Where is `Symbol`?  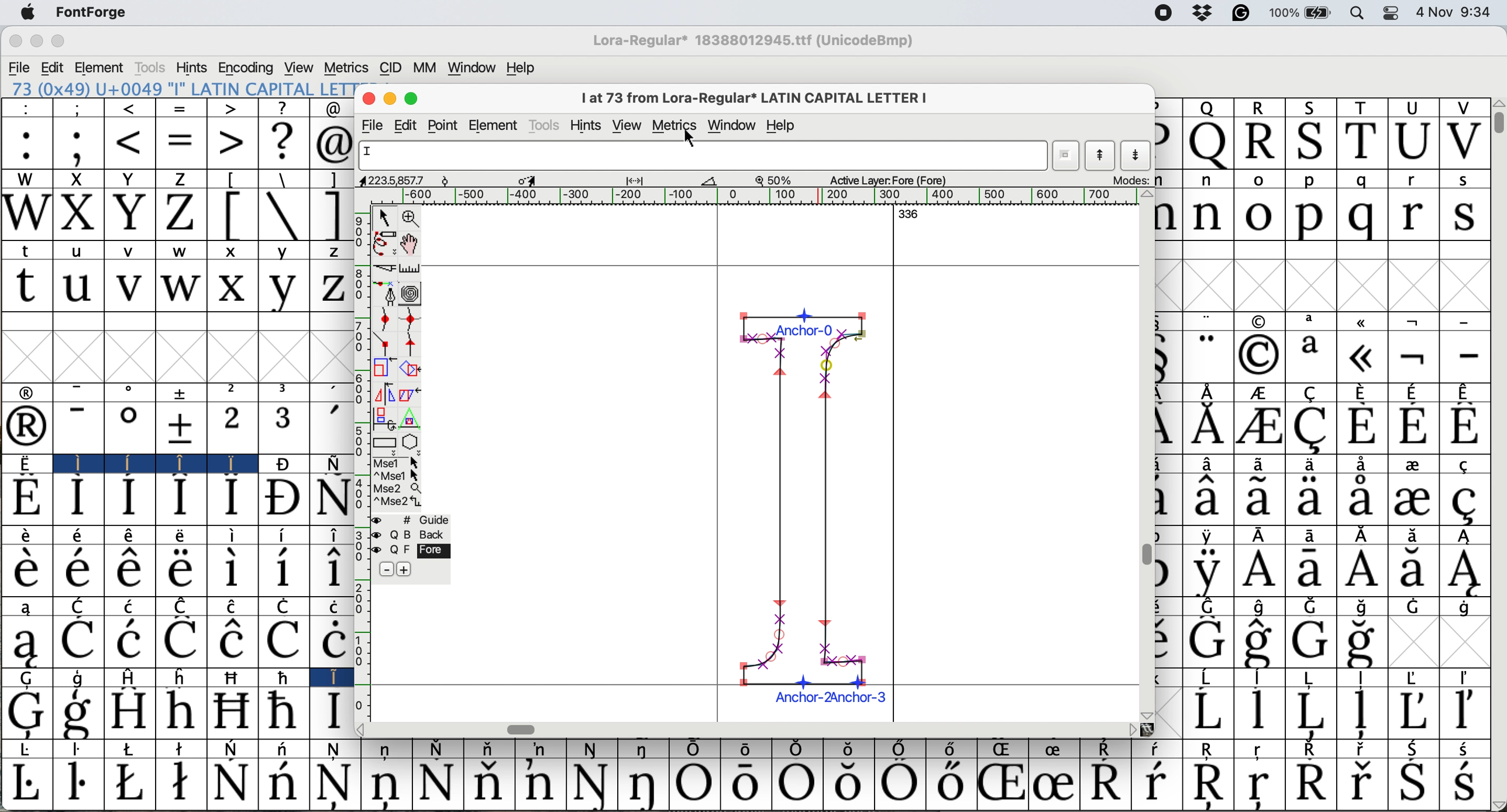
Symbol is located at coordinates (1205, 426).